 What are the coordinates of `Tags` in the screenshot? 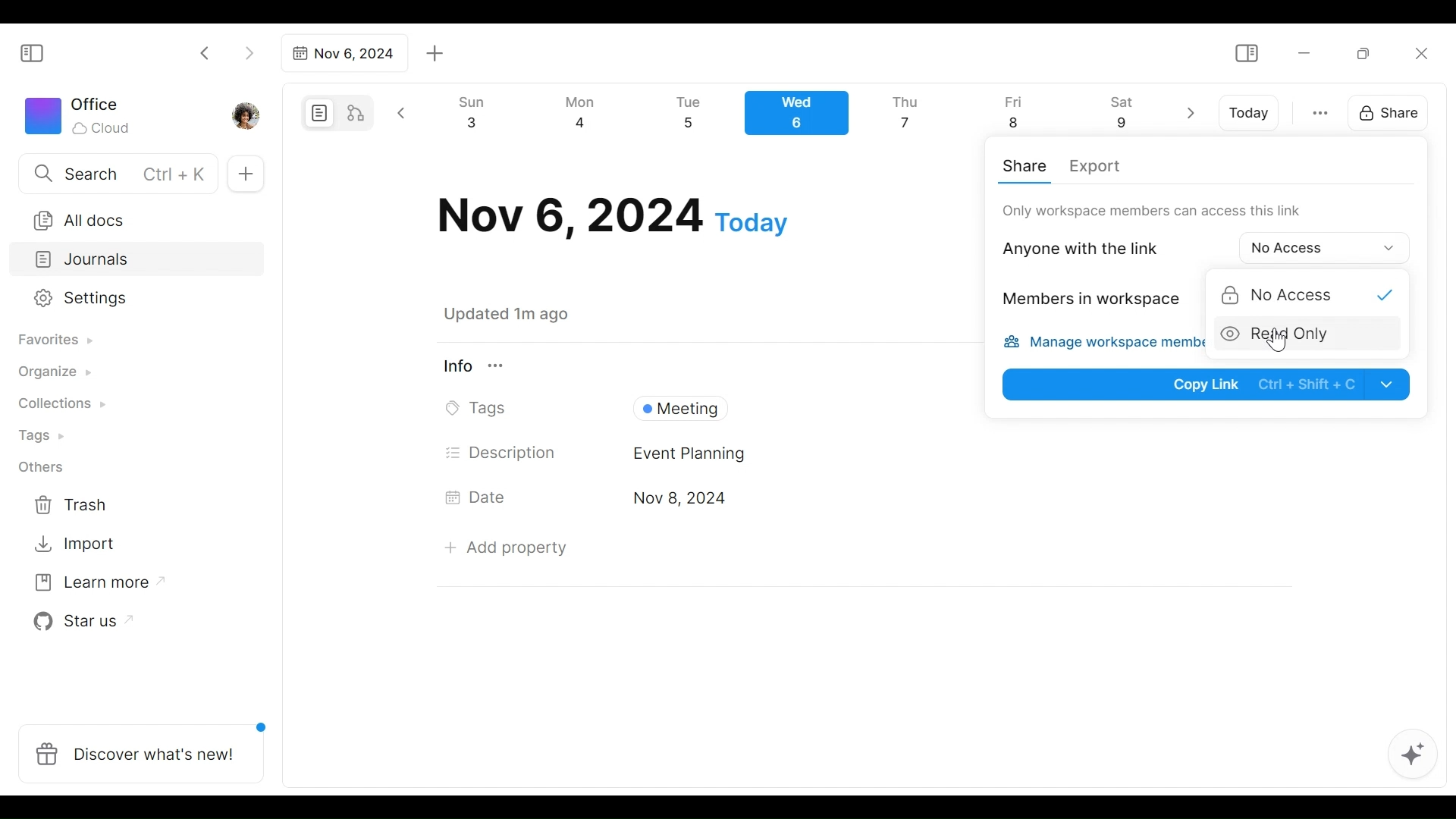 It's located at (43, 438).